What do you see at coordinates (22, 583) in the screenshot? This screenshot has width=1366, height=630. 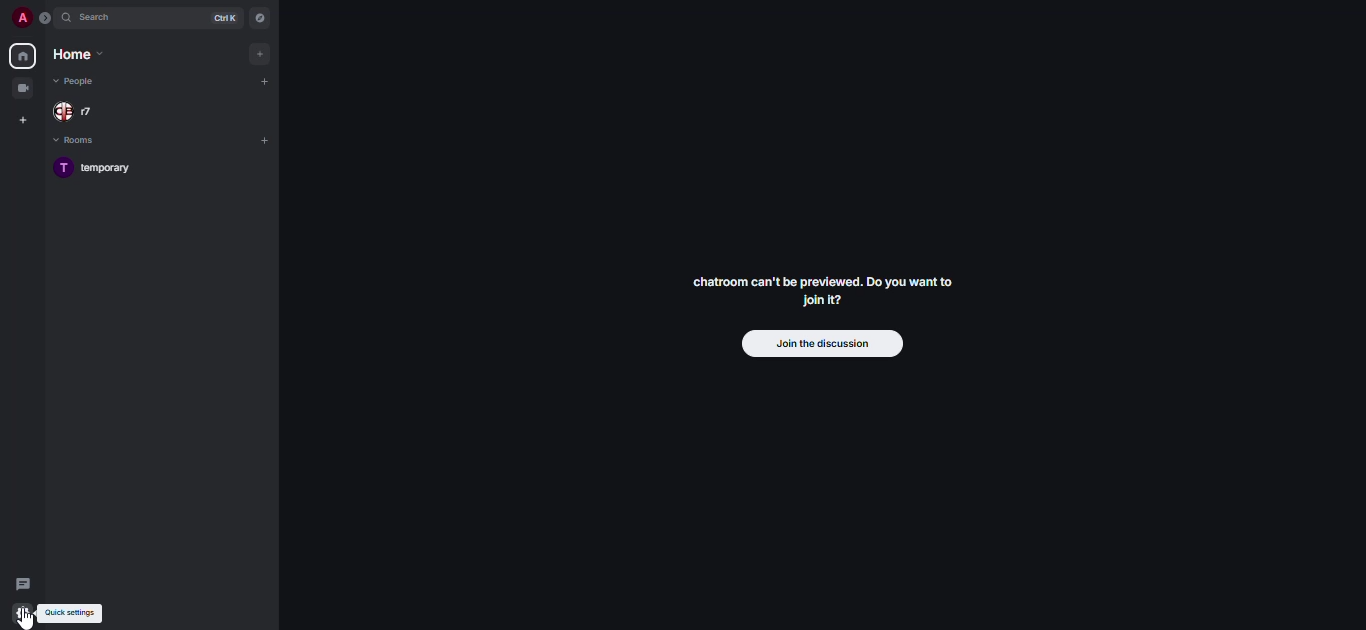 I see `threads` at bounding box center [22, 583].